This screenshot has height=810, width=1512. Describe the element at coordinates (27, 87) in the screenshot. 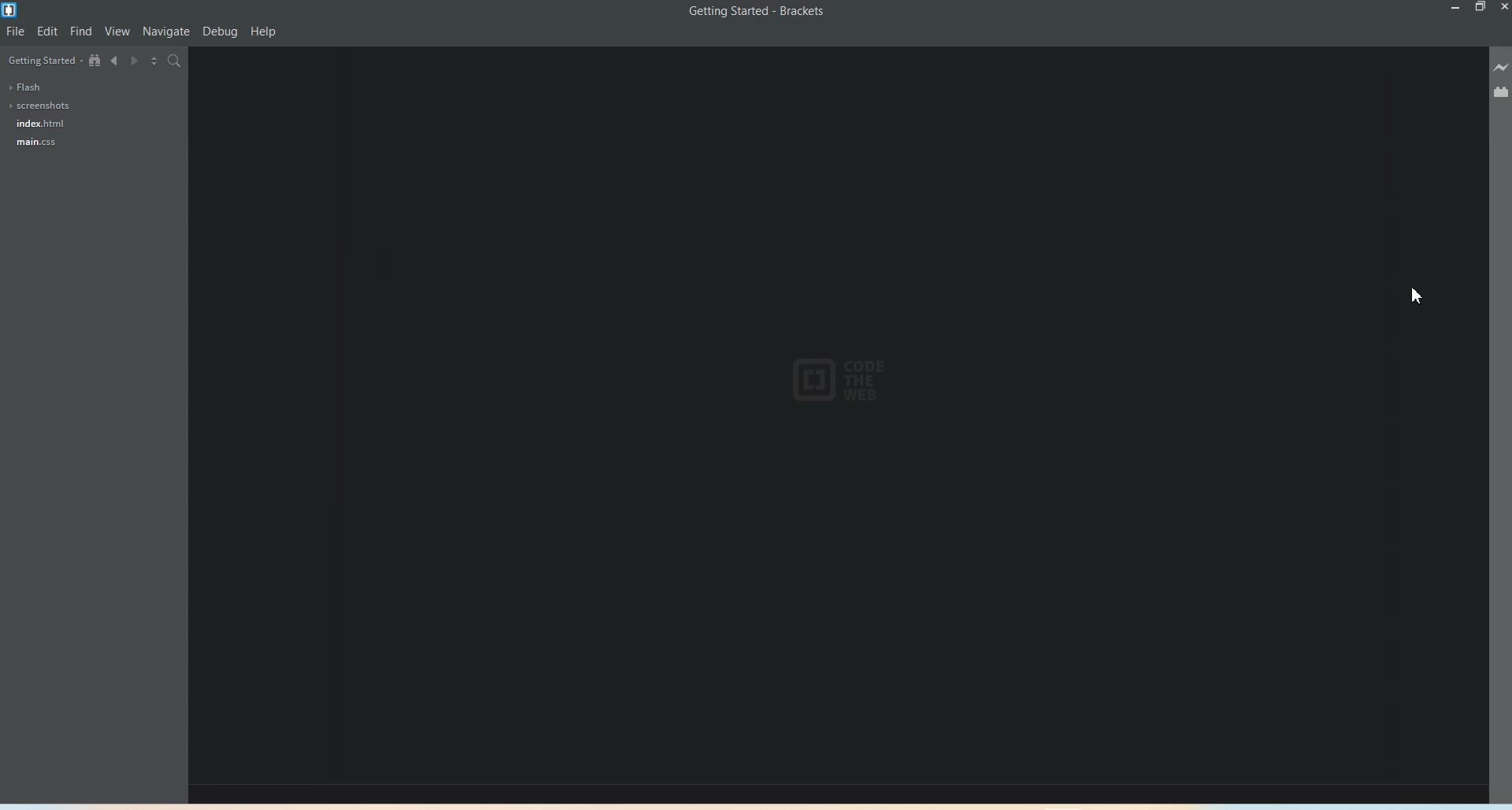

I see `Flash` at that location.